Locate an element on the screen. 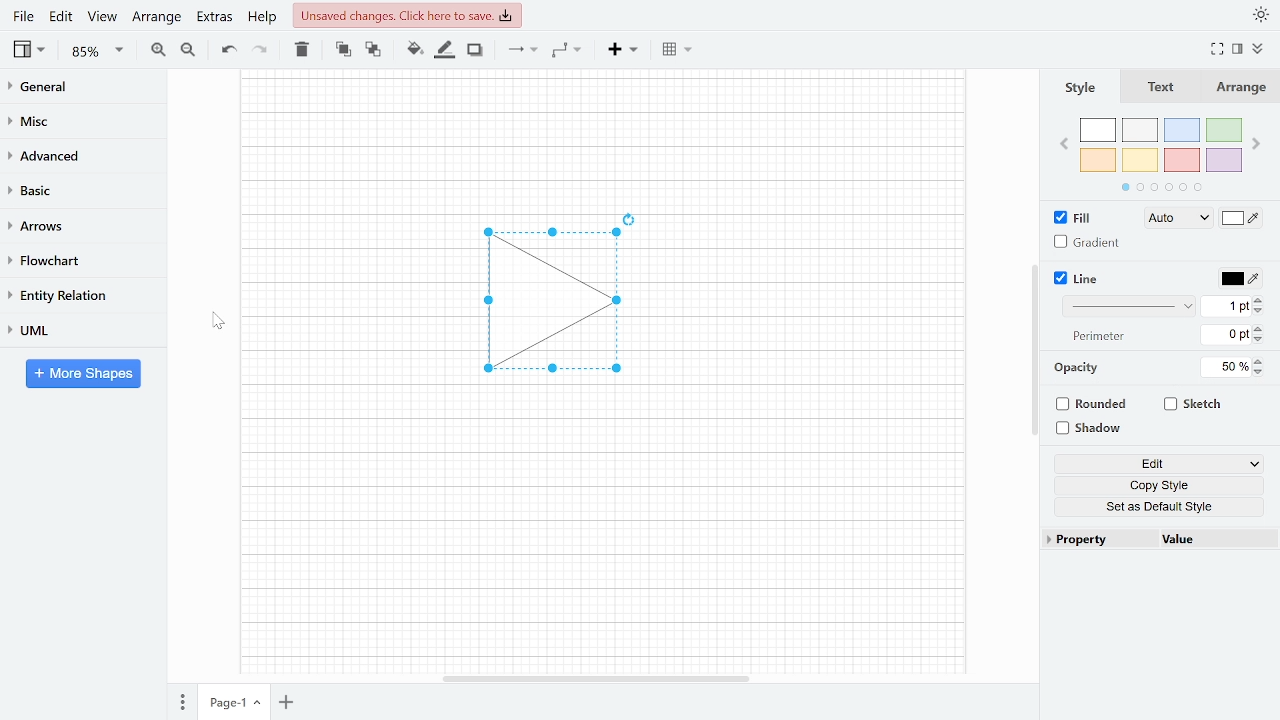 The height and width of the screenshot is (720, 1280). yellow is located at coordinates (1141, 159).